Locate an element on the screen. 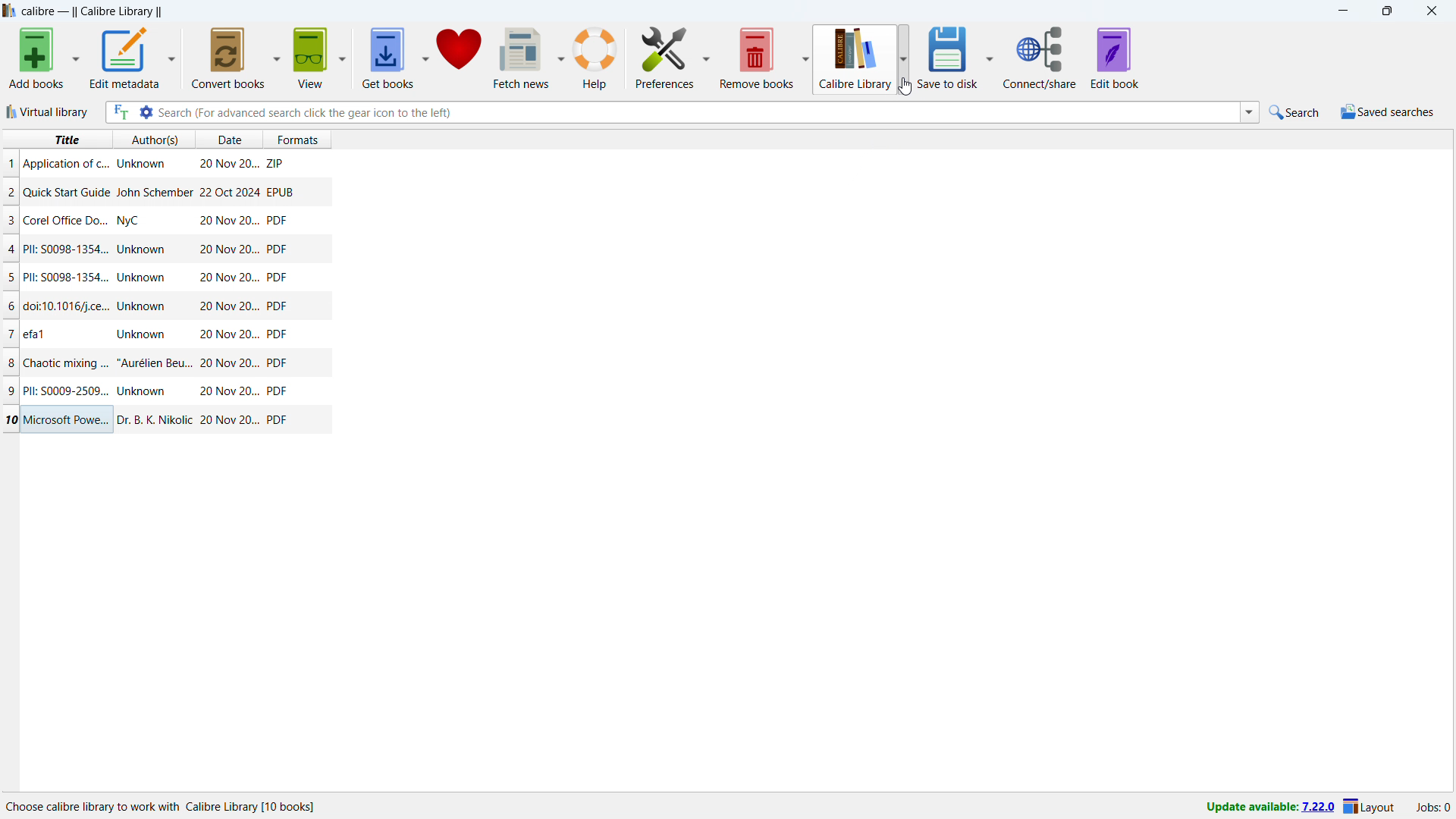 This screenshot has height=819, width=1456. get books options is located at coordinates (425, 58).